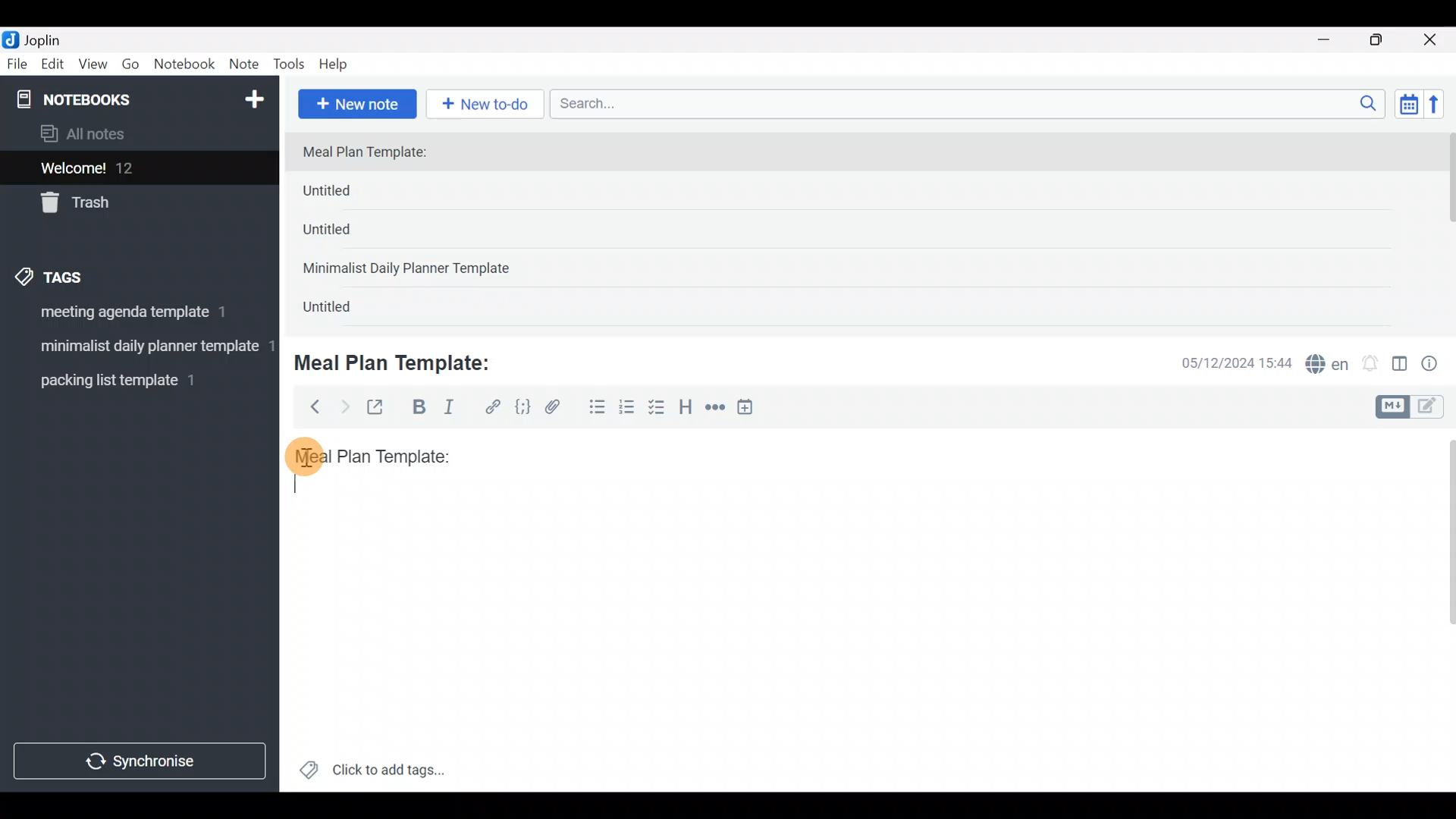 The image size is (1456, 819). What do you see at coordinates (85, 275) in the screenshot?
I see `Tags` at bounding box center [85, 275].